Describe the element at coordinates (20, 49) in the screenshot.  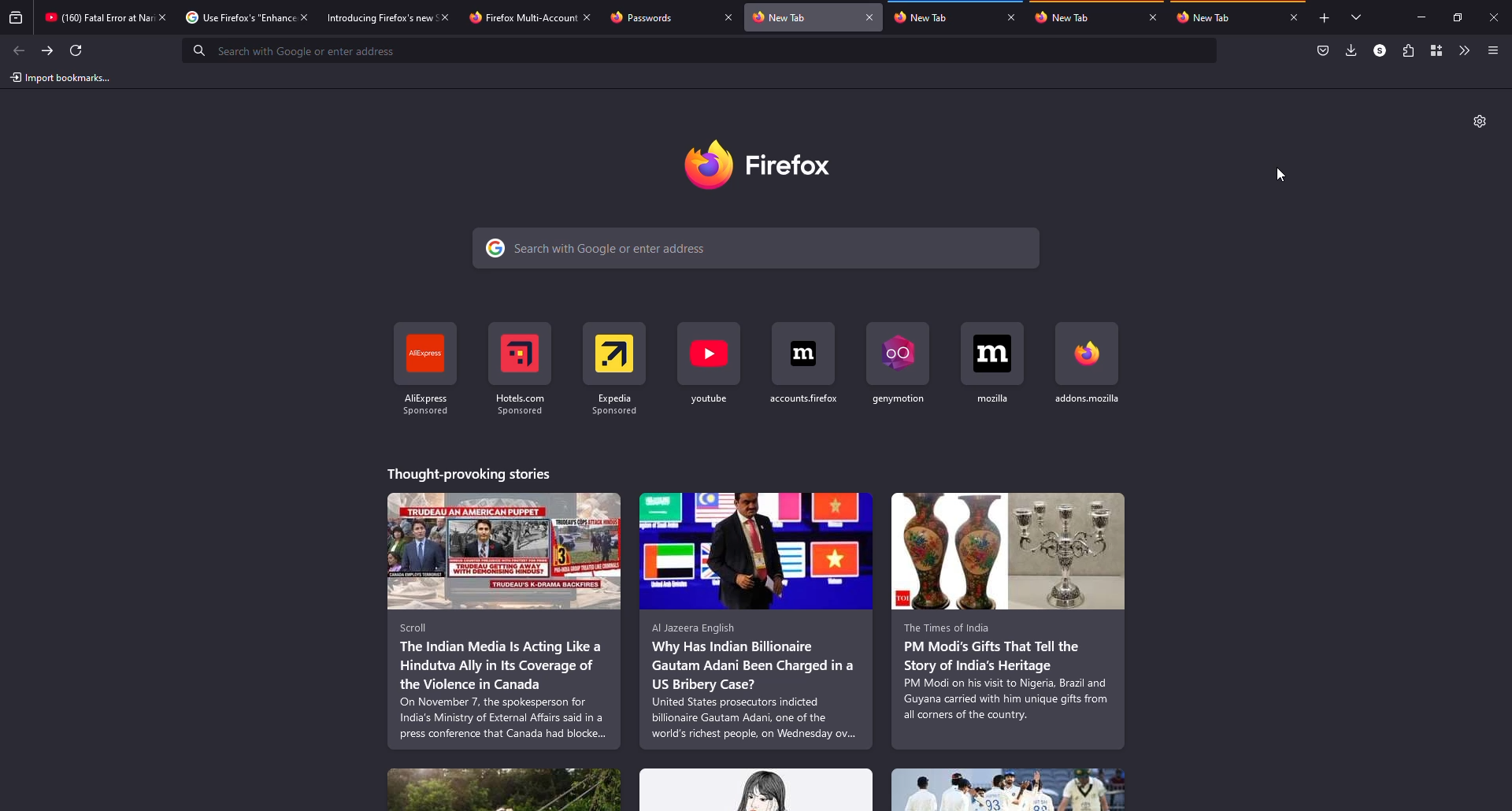
I see `back` at that location.